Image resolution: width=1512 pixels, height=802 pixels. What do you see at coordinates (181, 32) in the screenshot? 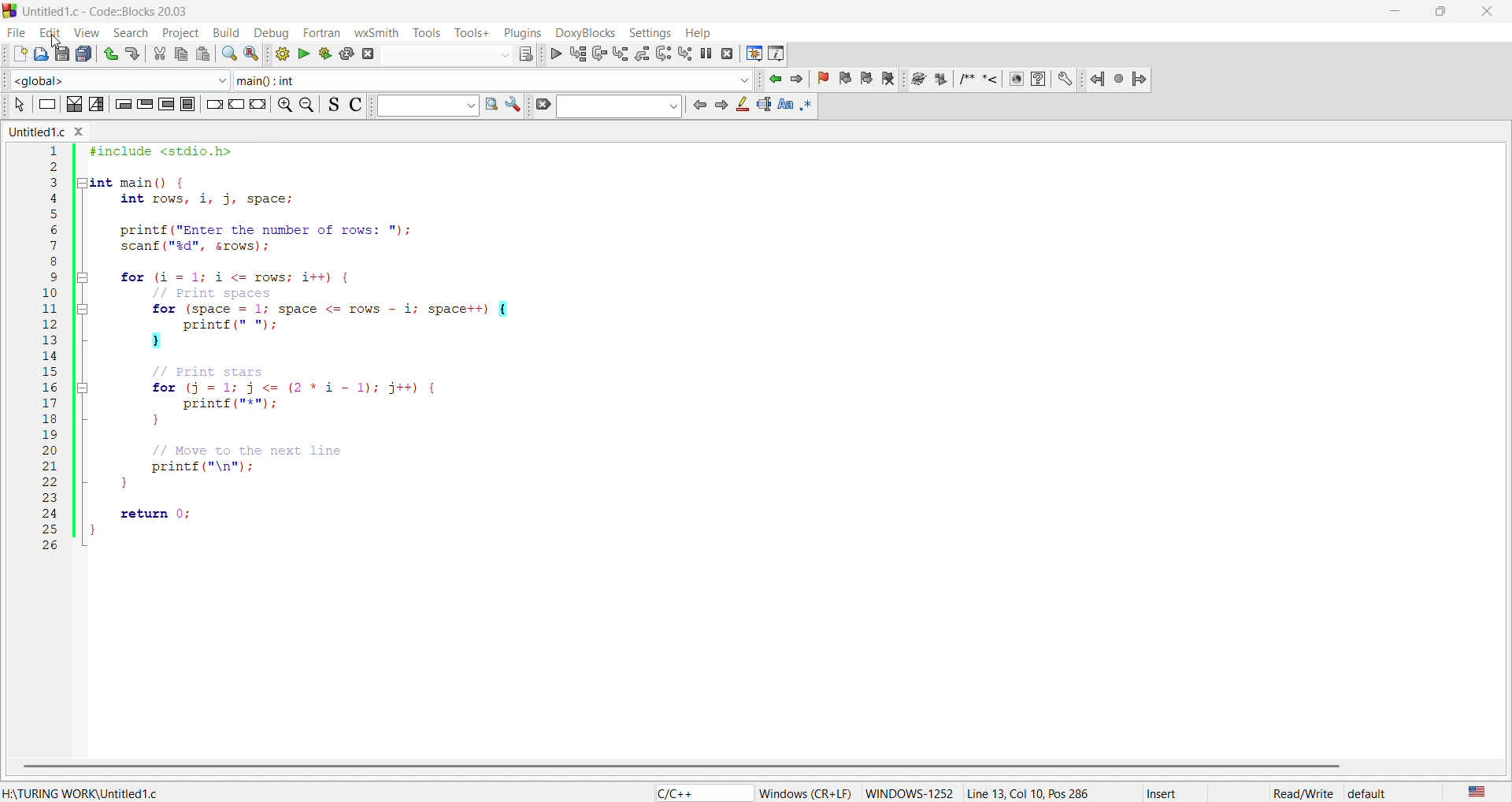
I see `project` at bounding box center [181, 32].